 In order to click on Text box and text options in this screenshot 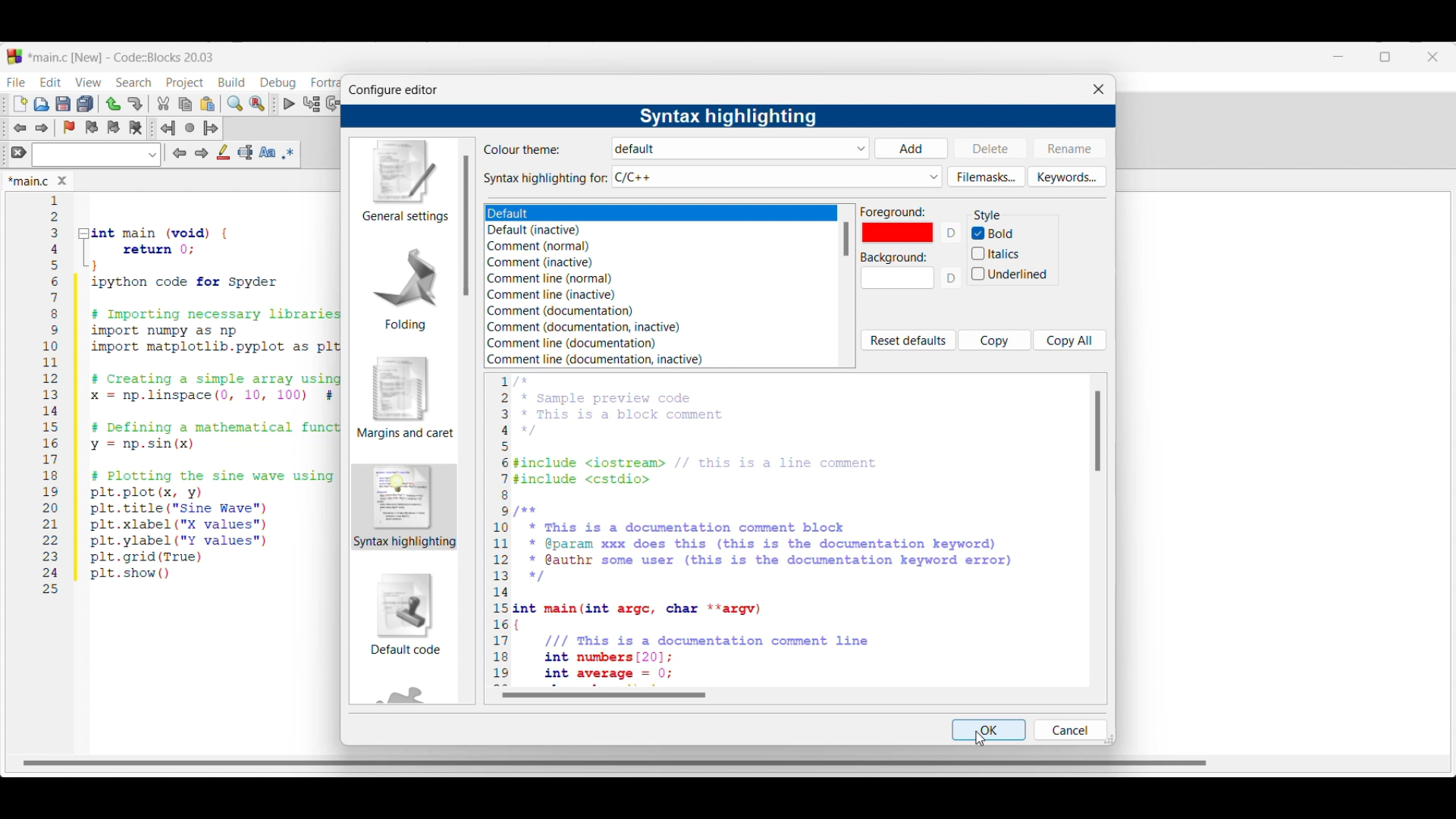, I will do `click(96, 155)`.